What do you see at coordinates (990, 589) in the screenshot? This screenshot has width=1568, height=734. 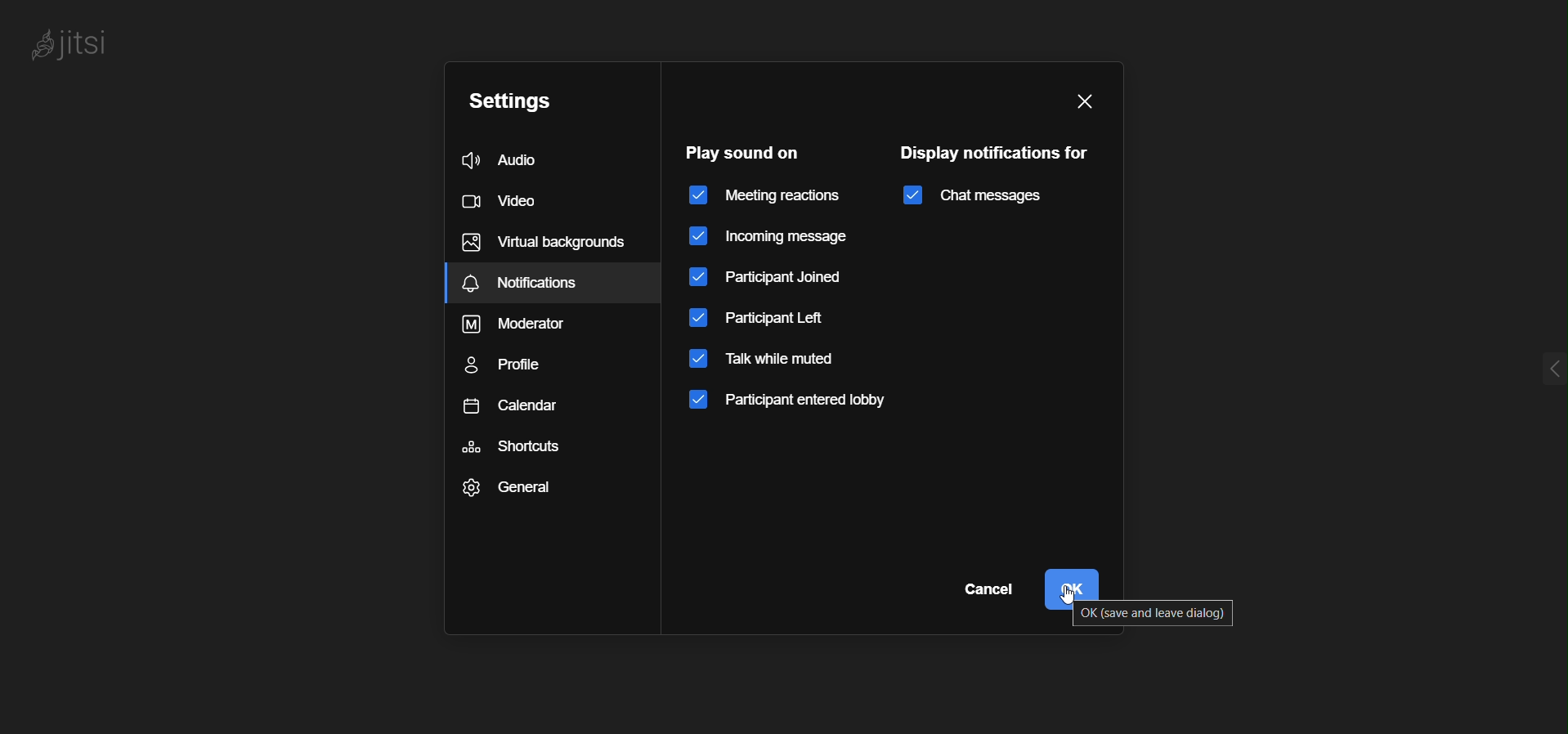 I see `cancel` at bounding box center [990, 589].